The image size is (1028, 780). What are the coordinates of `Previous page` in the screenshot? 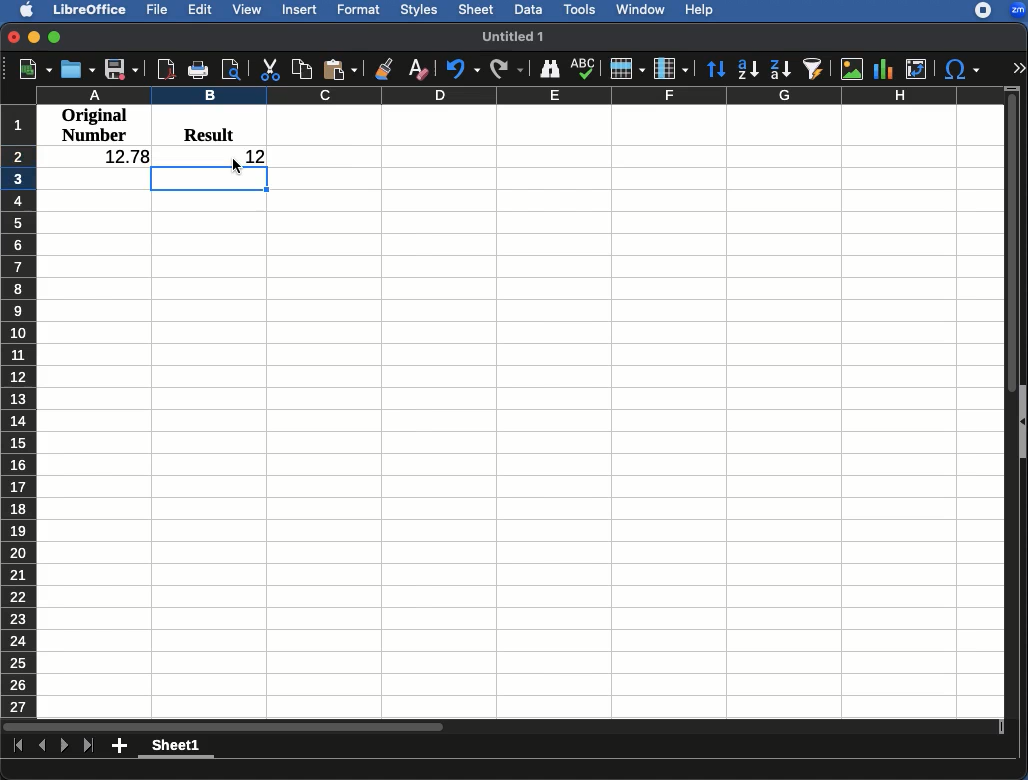 It's located at (42, 745).